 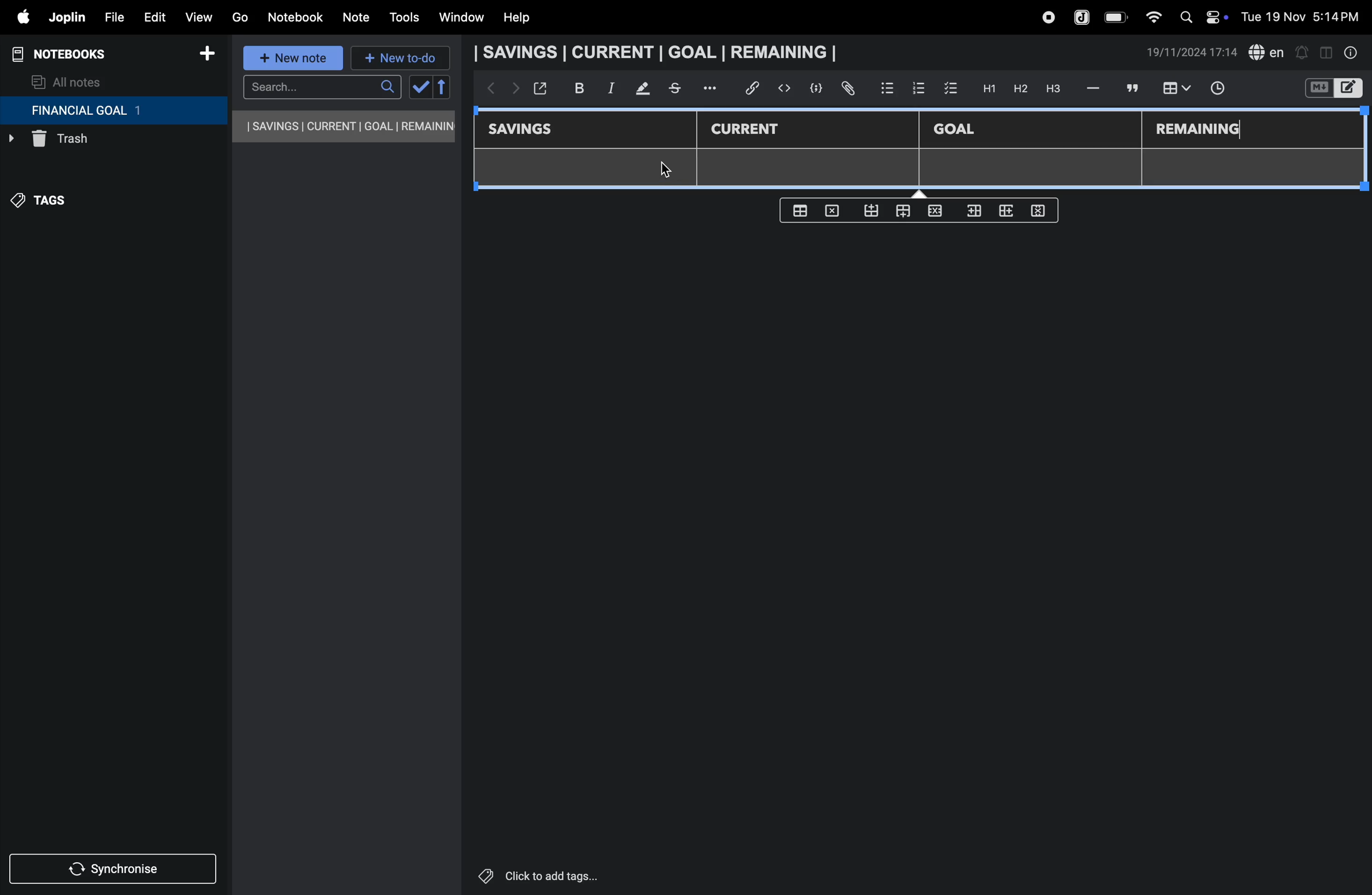 I want to click on reverse sort order, so click(x=443, y=87).